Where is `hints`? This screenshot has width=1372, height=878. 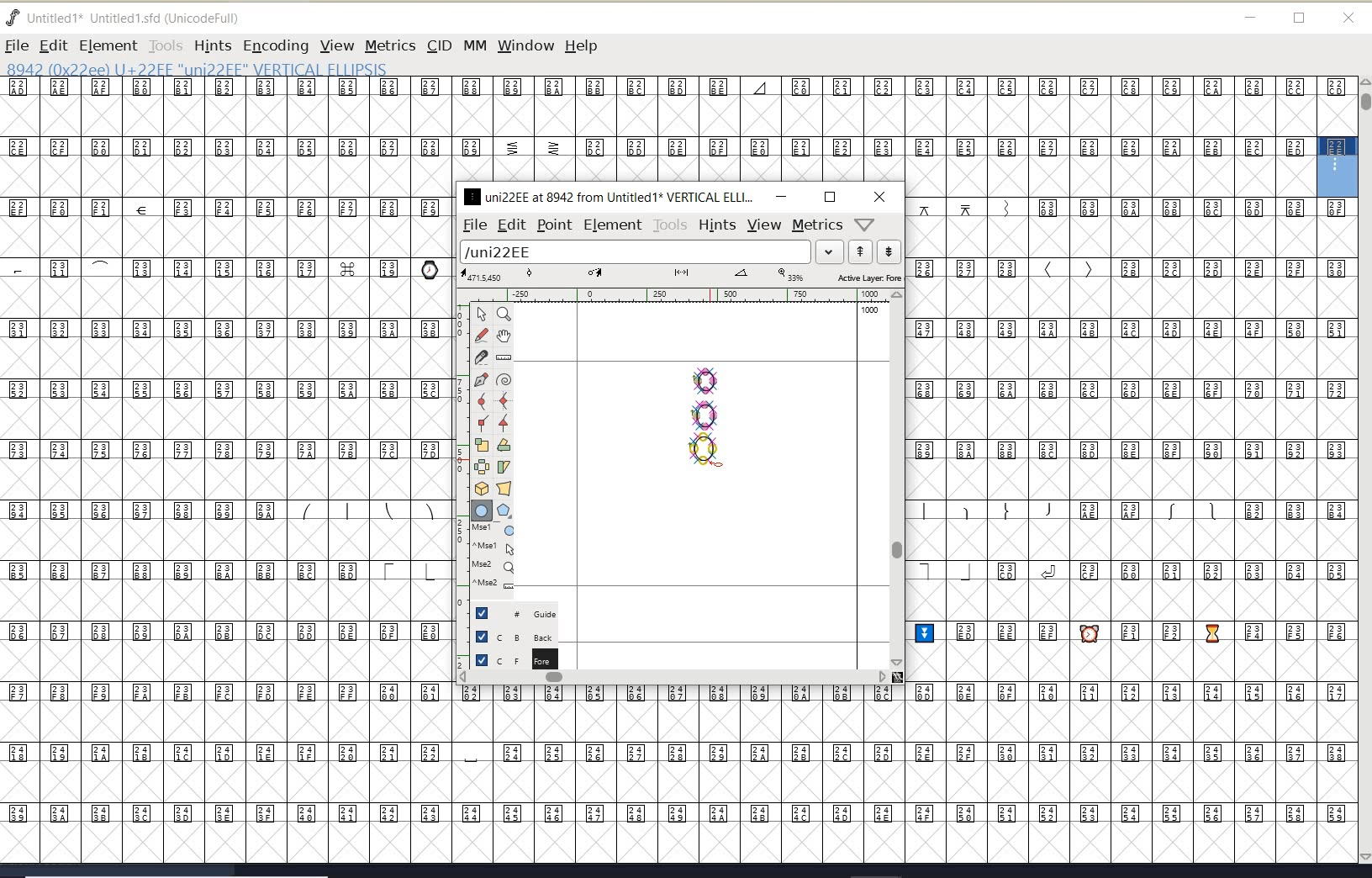 hints is located at coordinates (716, 225).